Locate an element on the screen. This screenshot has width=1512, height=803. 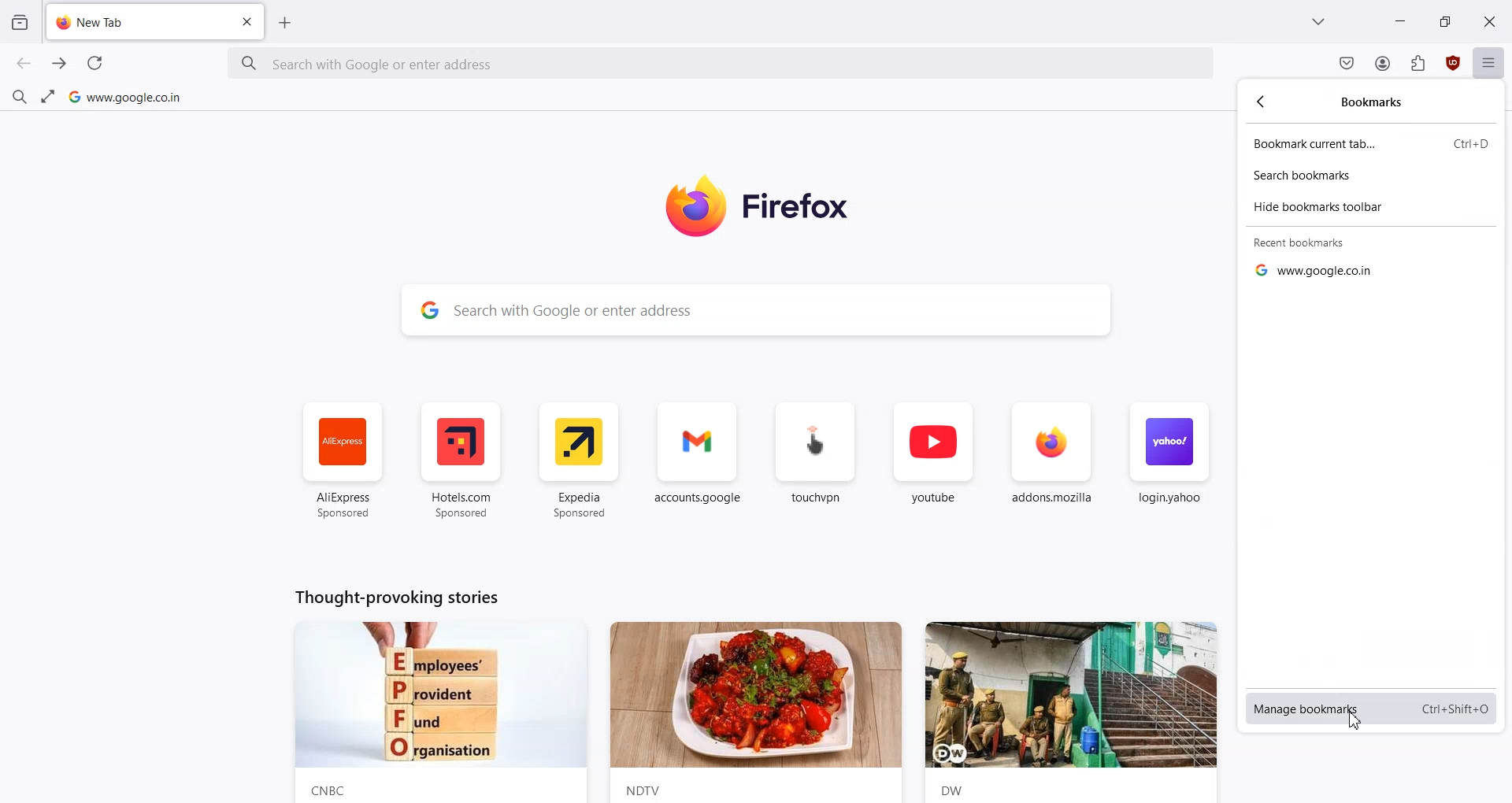
Go back to one page  is located at coordinates (24, 64).